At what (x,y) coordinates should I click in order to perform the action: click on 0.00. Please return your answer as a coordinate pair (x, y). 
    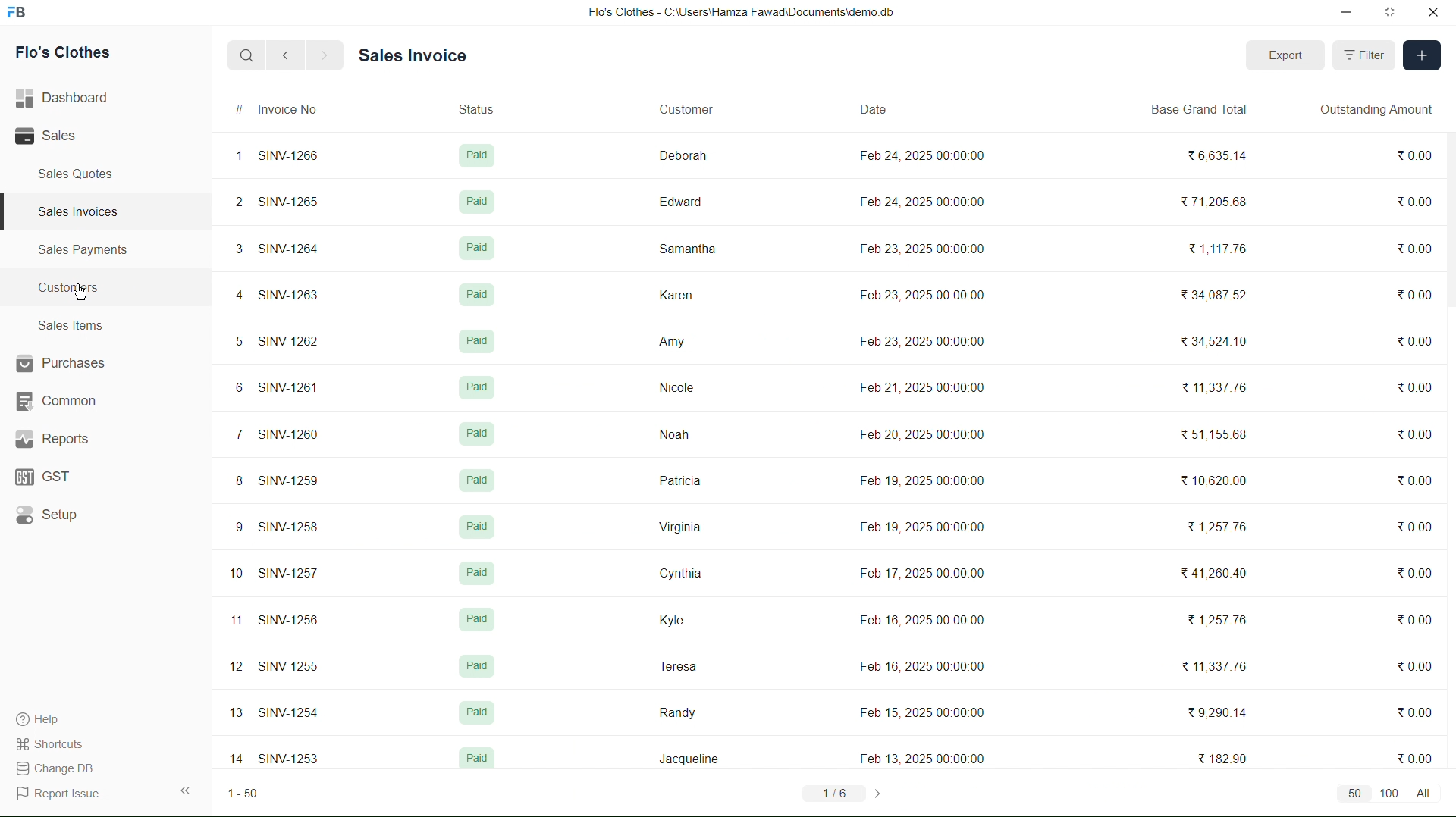
    Looking at the image, I should click on (1411, 521).